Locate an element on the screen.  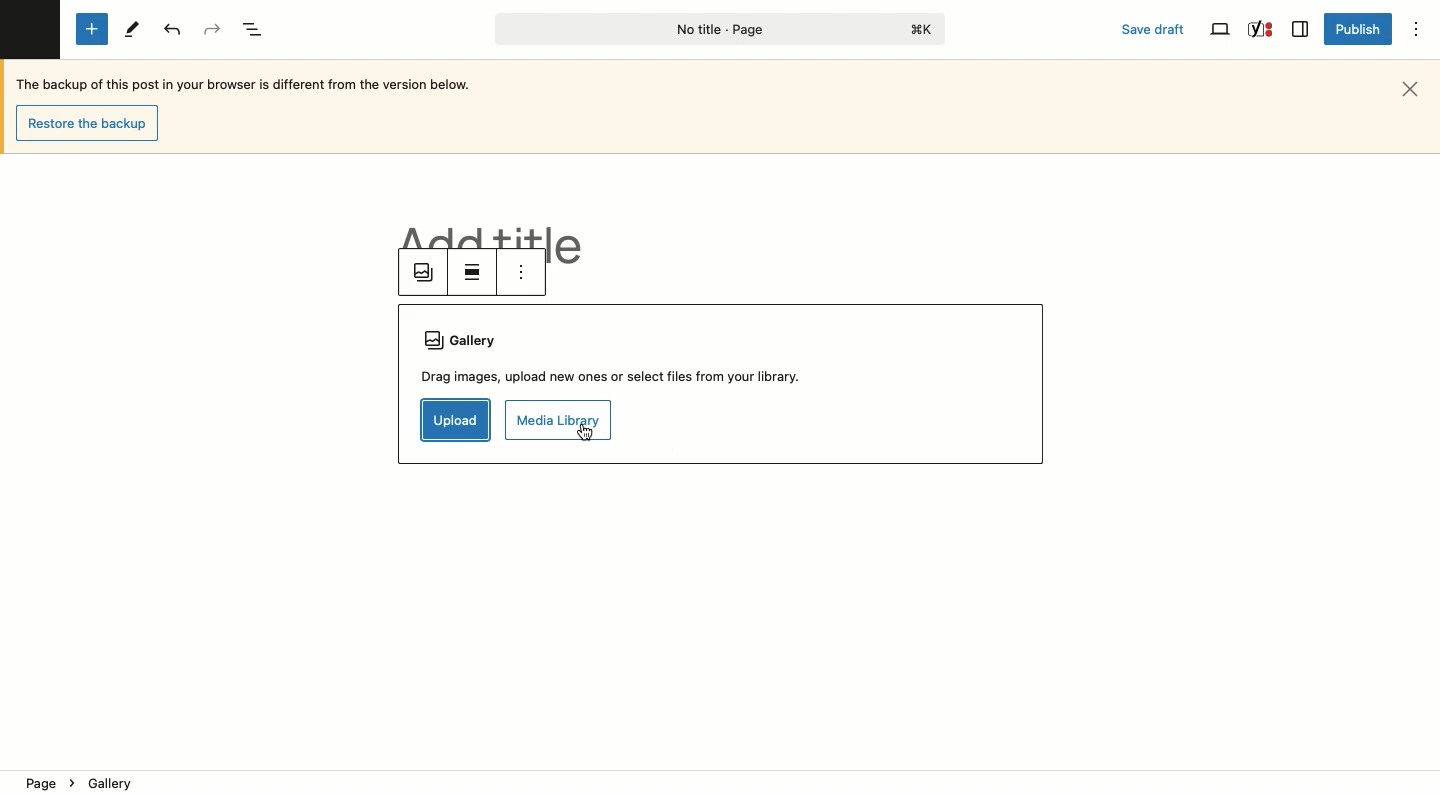
Gallery is located at coordinates (613, 341).